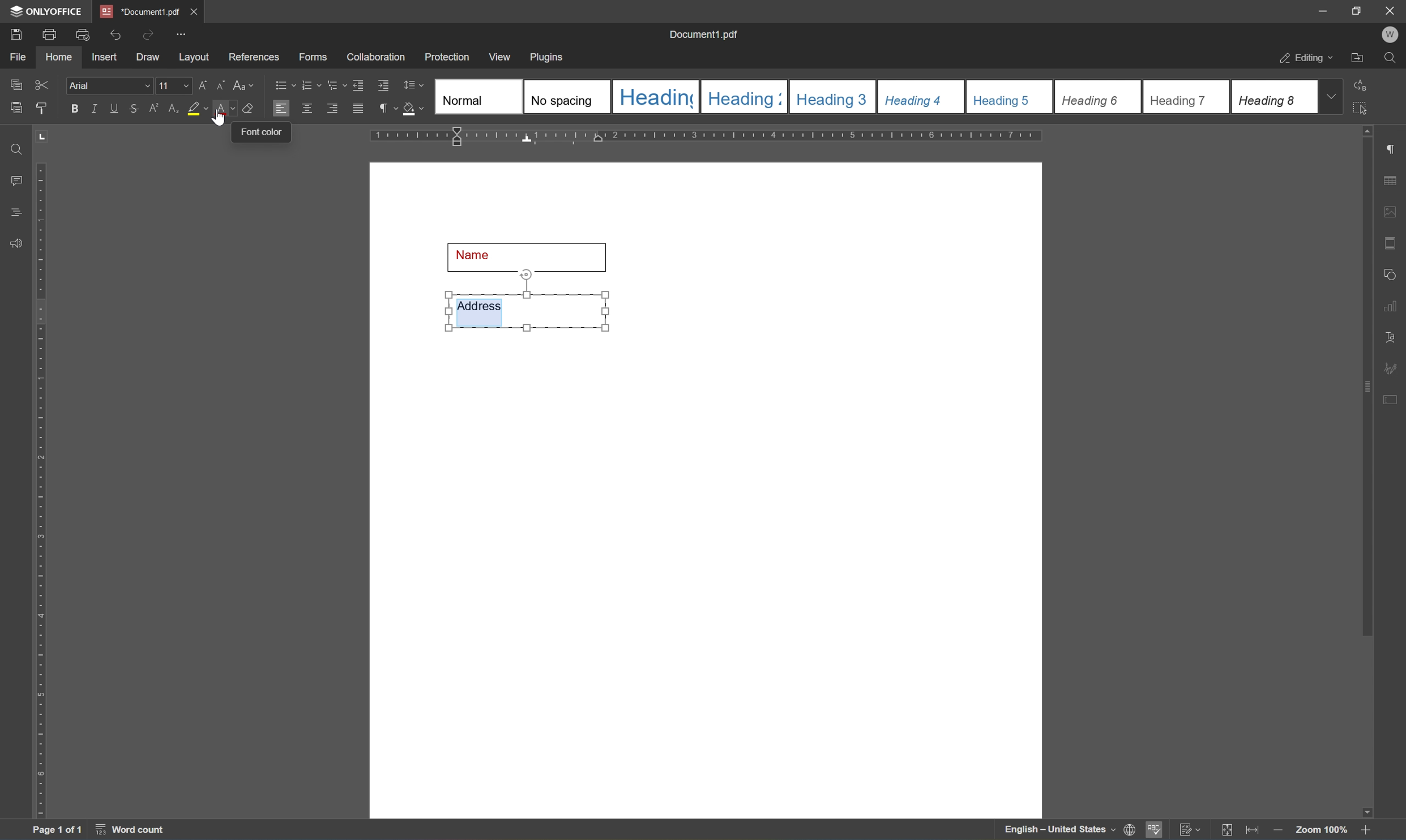 Image resolution: width=1406 pixels, height=840 pixels. I want to click on track changes, so click(1191, 830).